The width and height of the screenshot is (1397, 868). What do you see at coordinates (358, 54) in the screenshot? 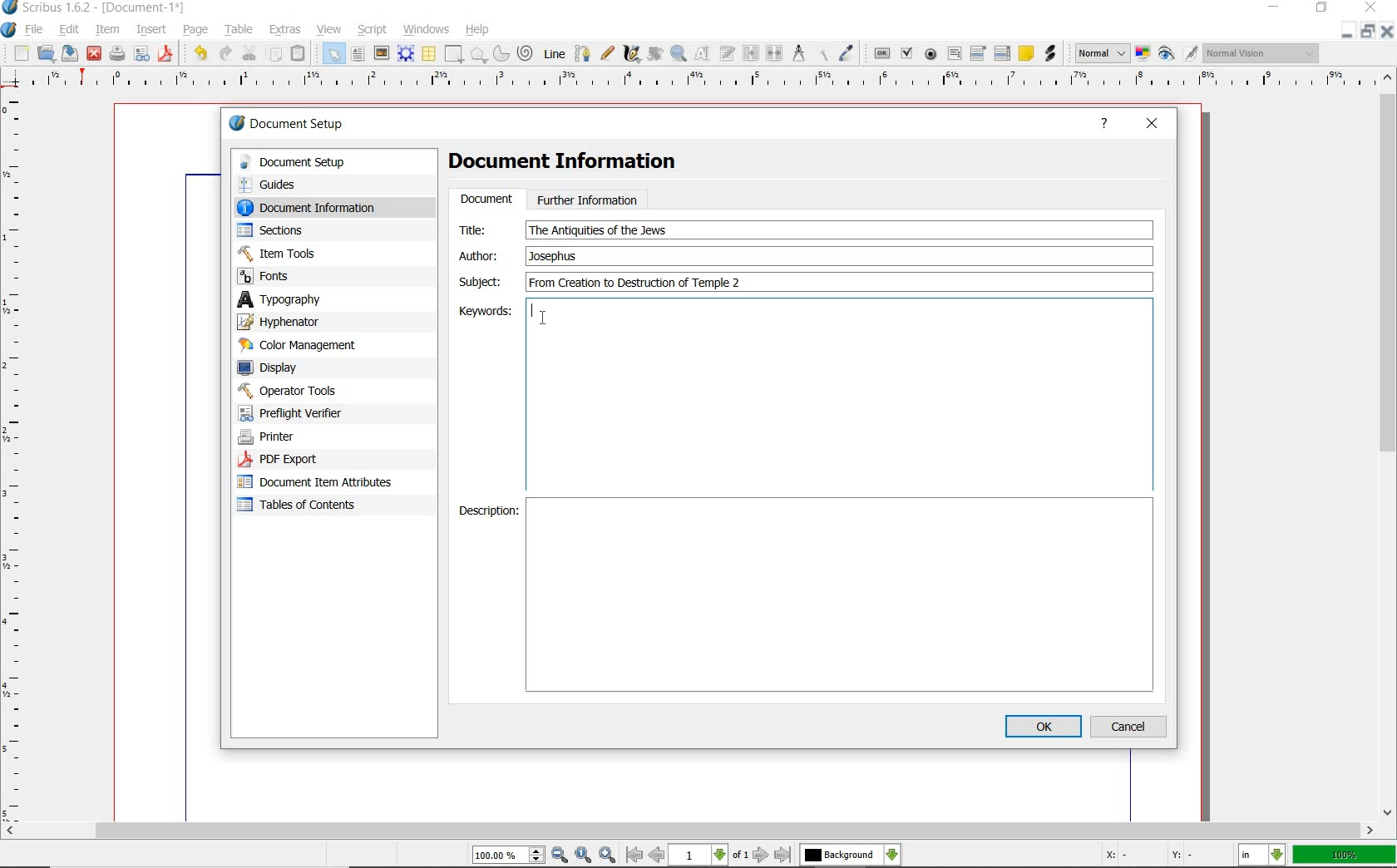
I see `text frame` at bounding box center [358, 54].